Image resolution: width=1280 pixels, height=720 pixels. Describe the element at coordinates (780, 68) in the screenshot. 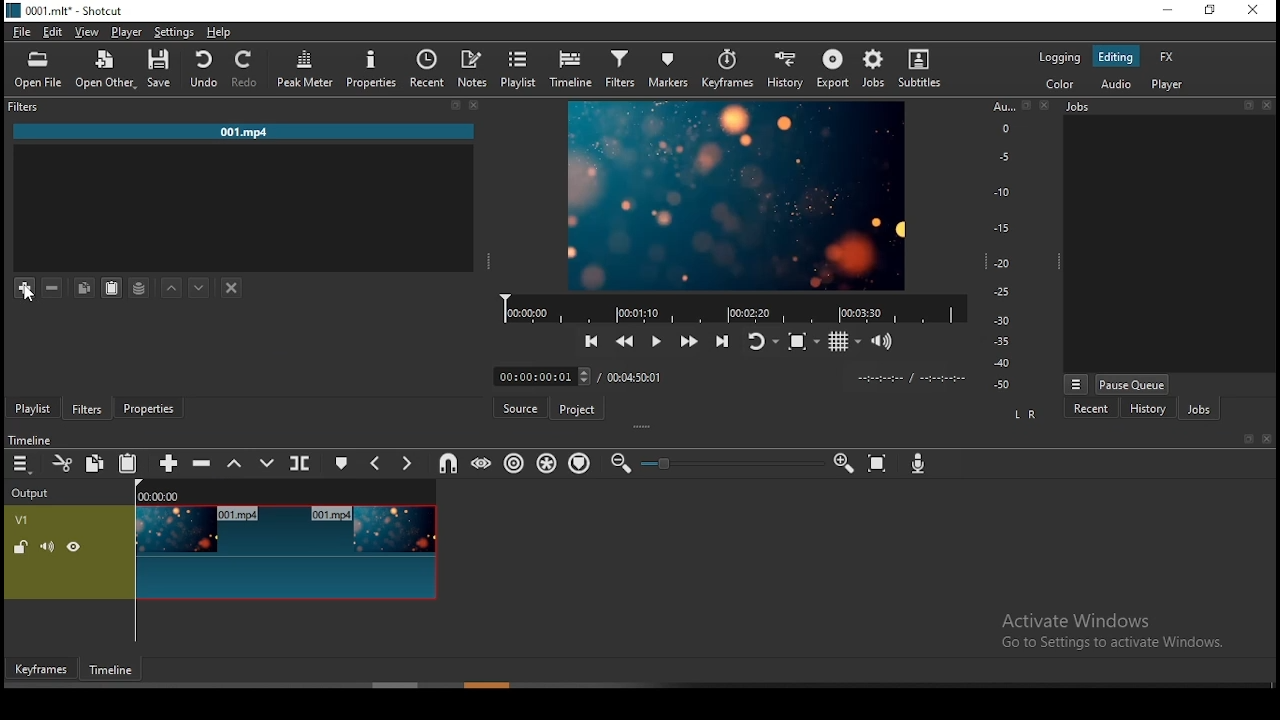

I see `history` at that location.